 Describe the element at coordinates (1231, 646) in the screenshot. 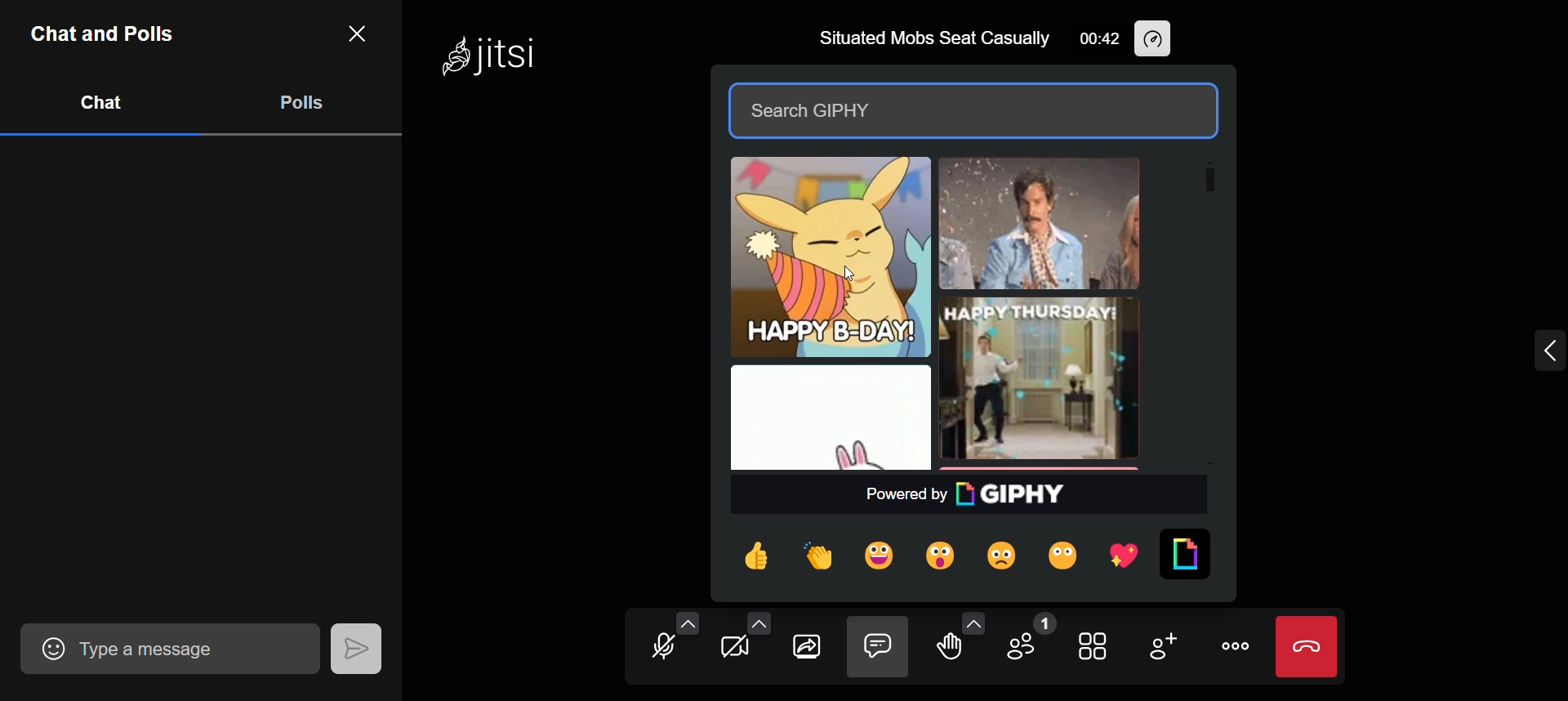

I see `more actions` at that location.